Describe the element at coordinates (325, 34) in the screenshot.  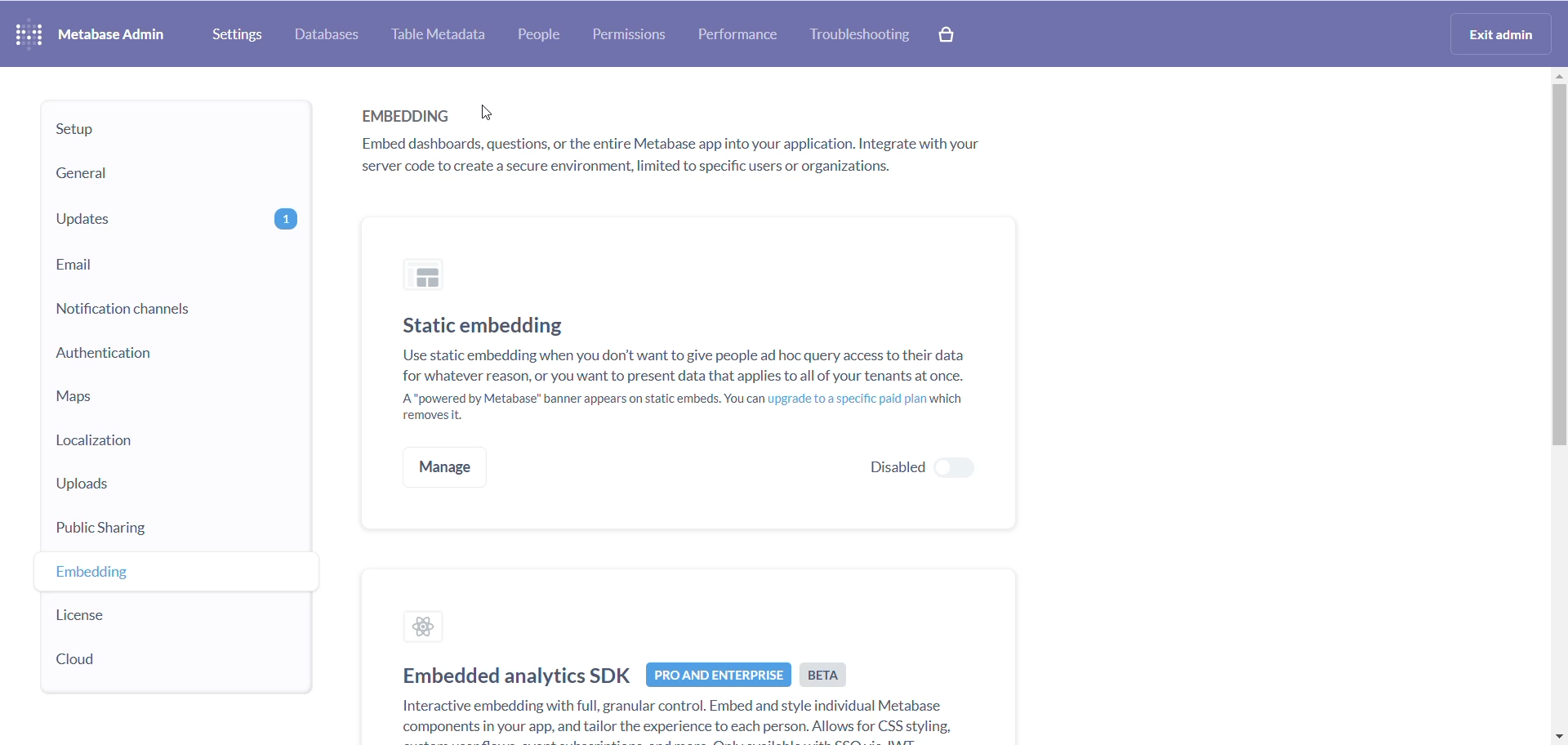
I see `databases` at that location.